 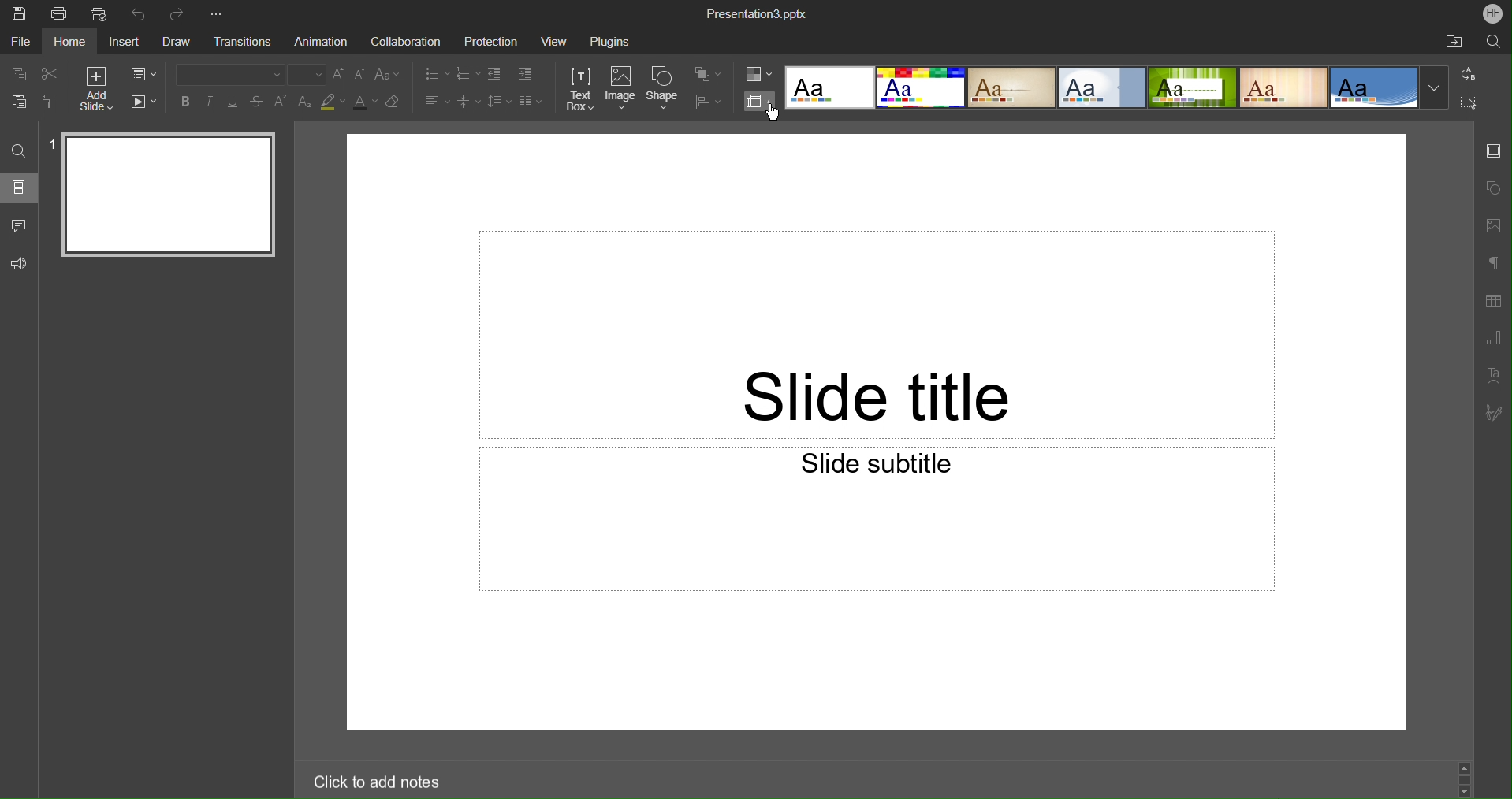 What do you see at coordinates (370, 779) in the screenshot?
I see `Click to add notes` at bounding box center [370, 779].